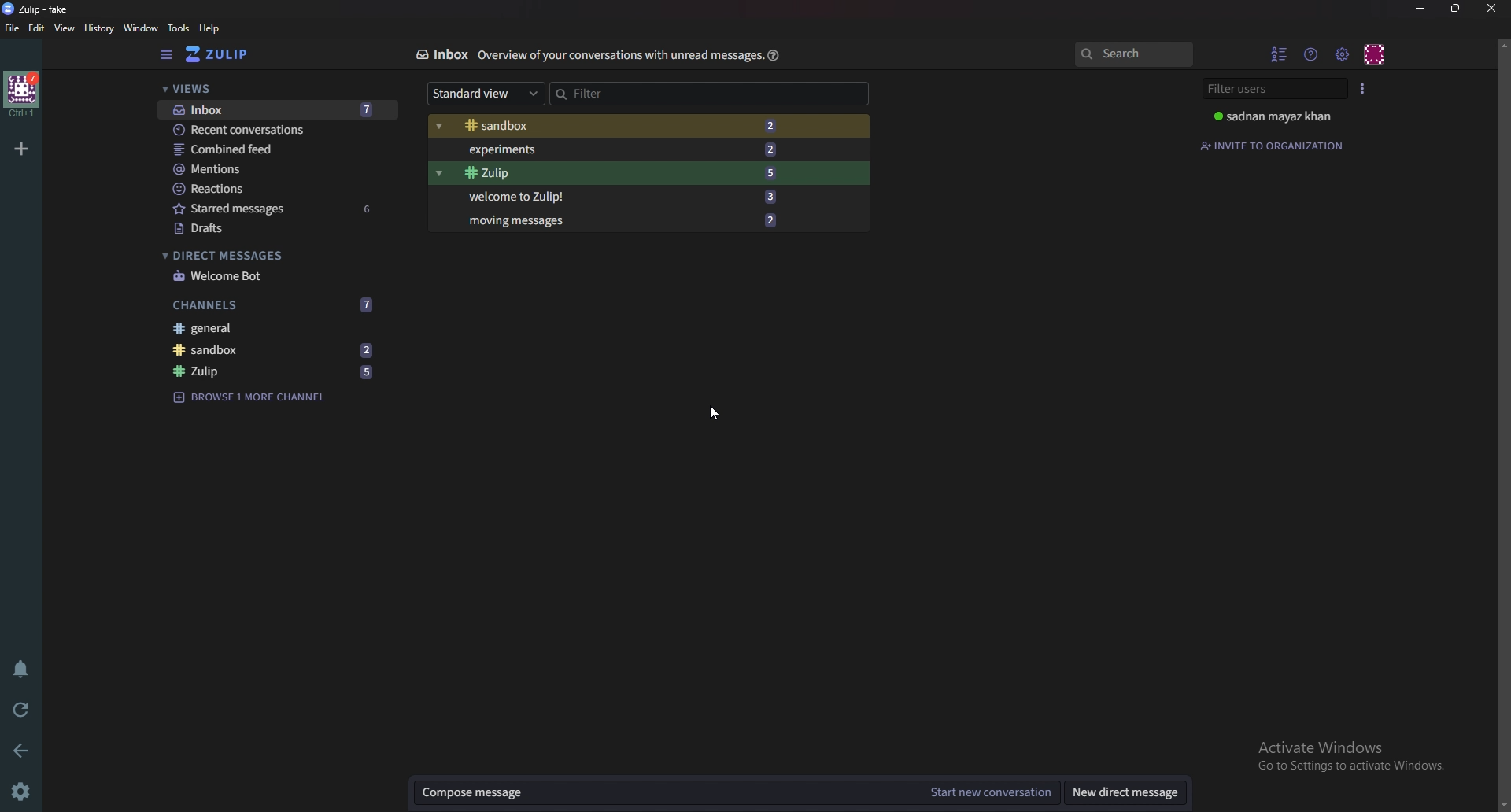 Image resolution: width=1511 pixels, height=812 pixels. What do you see at coordinates (13, 29) in the screenshot?
I see `File` at bounding box center [13, 29].